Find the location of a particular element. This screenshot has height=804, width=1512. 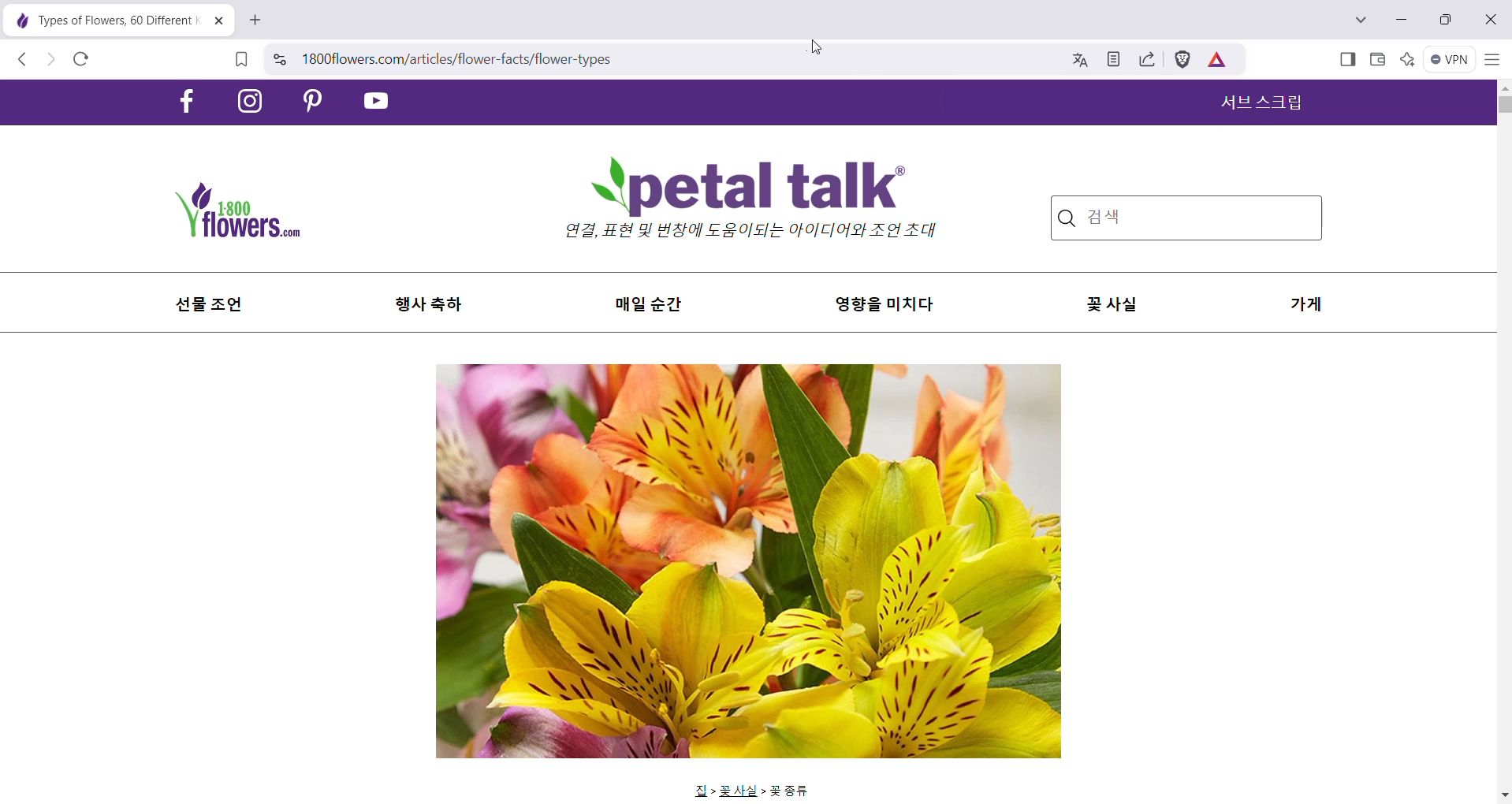

Share this page is located at coordinates (1144, 60).